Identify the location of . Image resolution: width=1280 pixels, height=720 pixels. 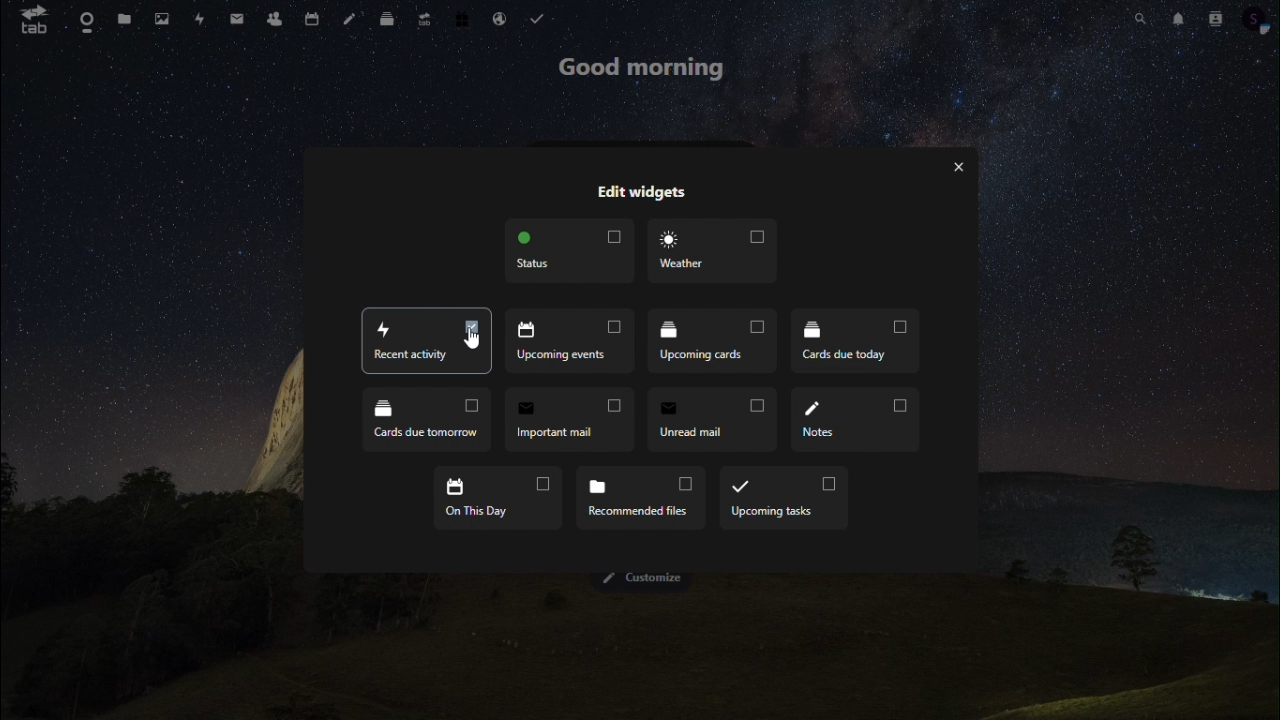
(643, 192).